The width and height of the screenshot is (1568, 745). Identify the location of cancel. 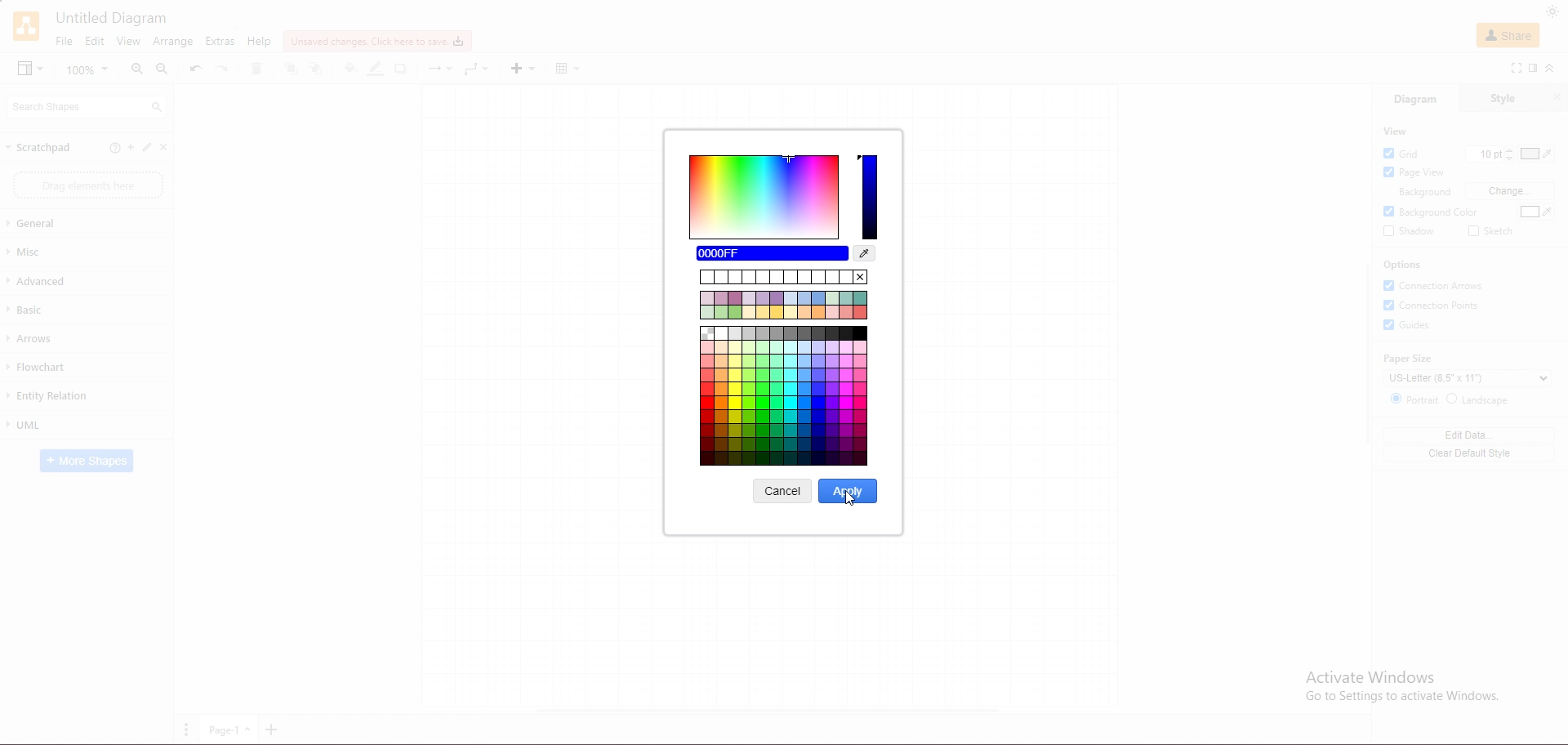
(780, 492).